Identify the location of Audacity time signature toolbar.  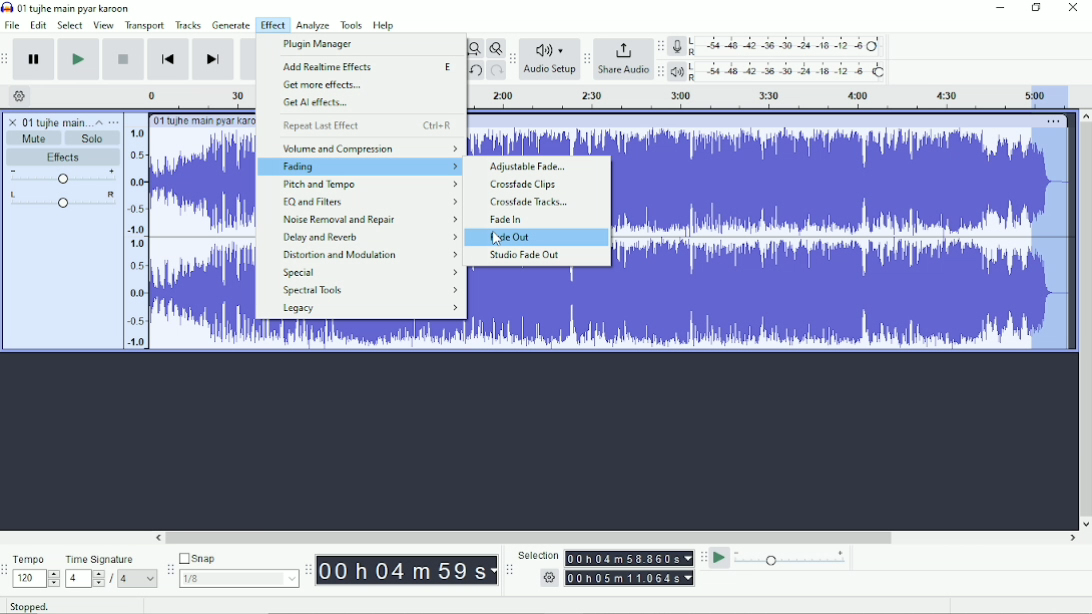
(5, 571).